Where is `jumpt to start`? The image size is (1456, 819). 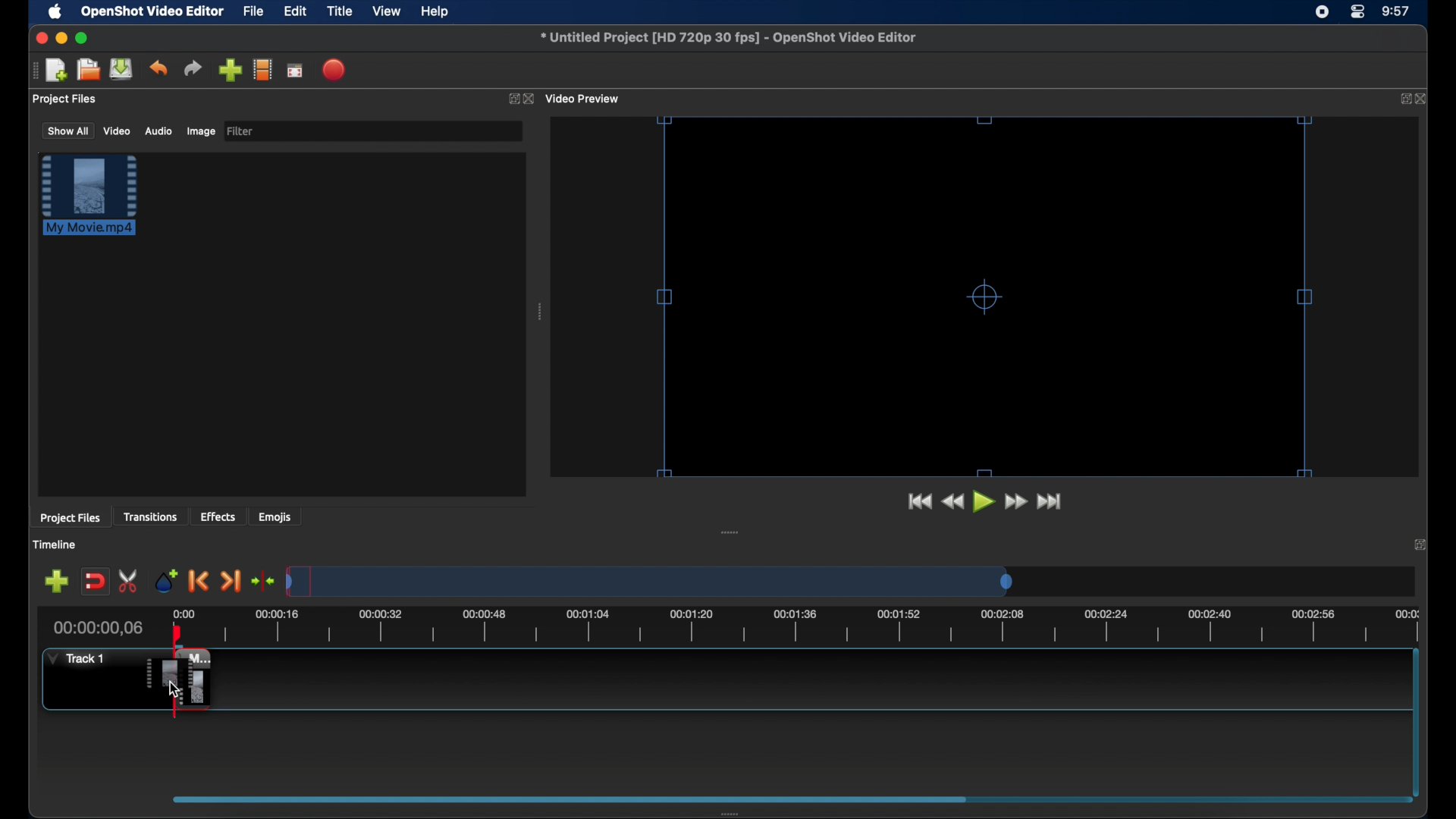
jumpt to start is located at coordinates (918, 501).